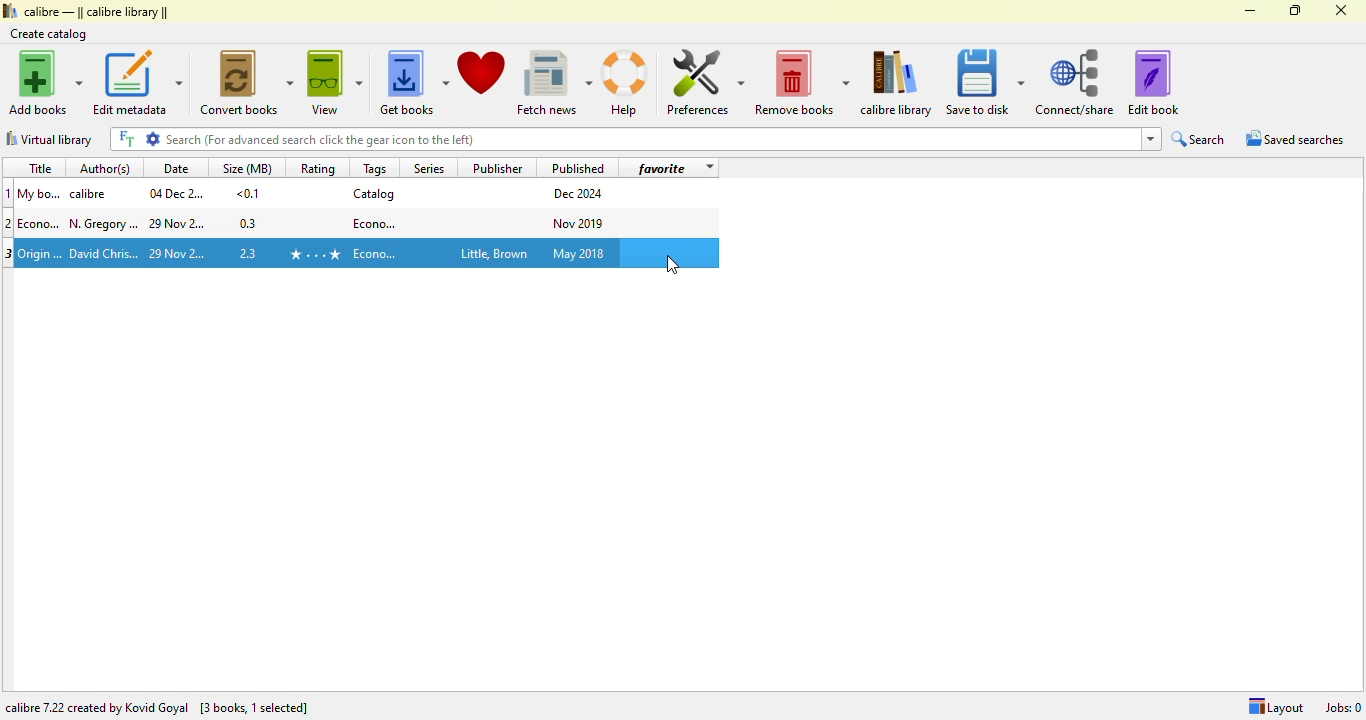 This screenshot has width=1366, height=720. I want to click on virtual library, so click(49, 139).